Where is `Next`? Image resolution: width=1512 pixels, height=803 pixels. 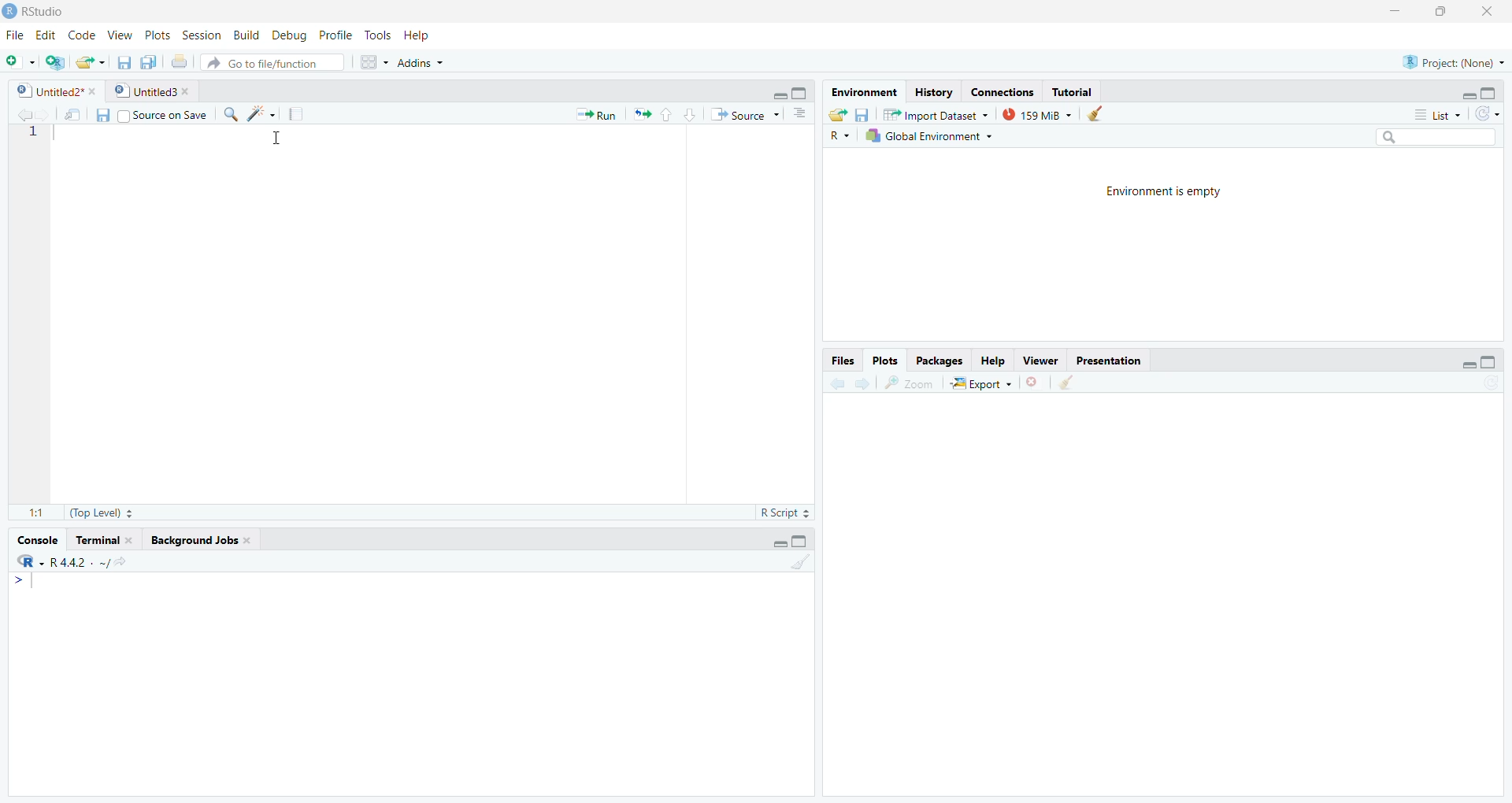
Next is located at coordinates (859, 385).